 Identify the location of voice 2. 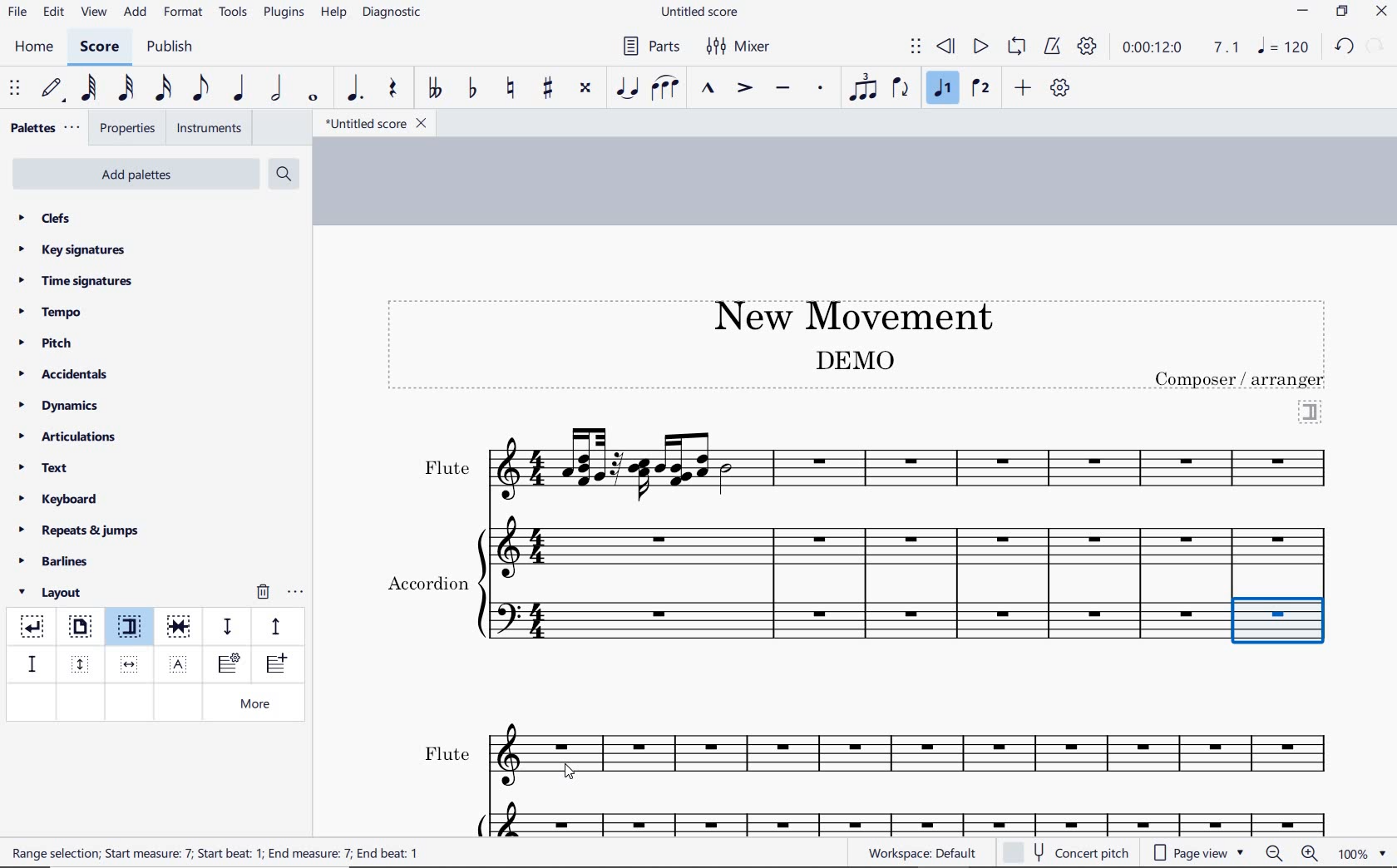
(981, 89).